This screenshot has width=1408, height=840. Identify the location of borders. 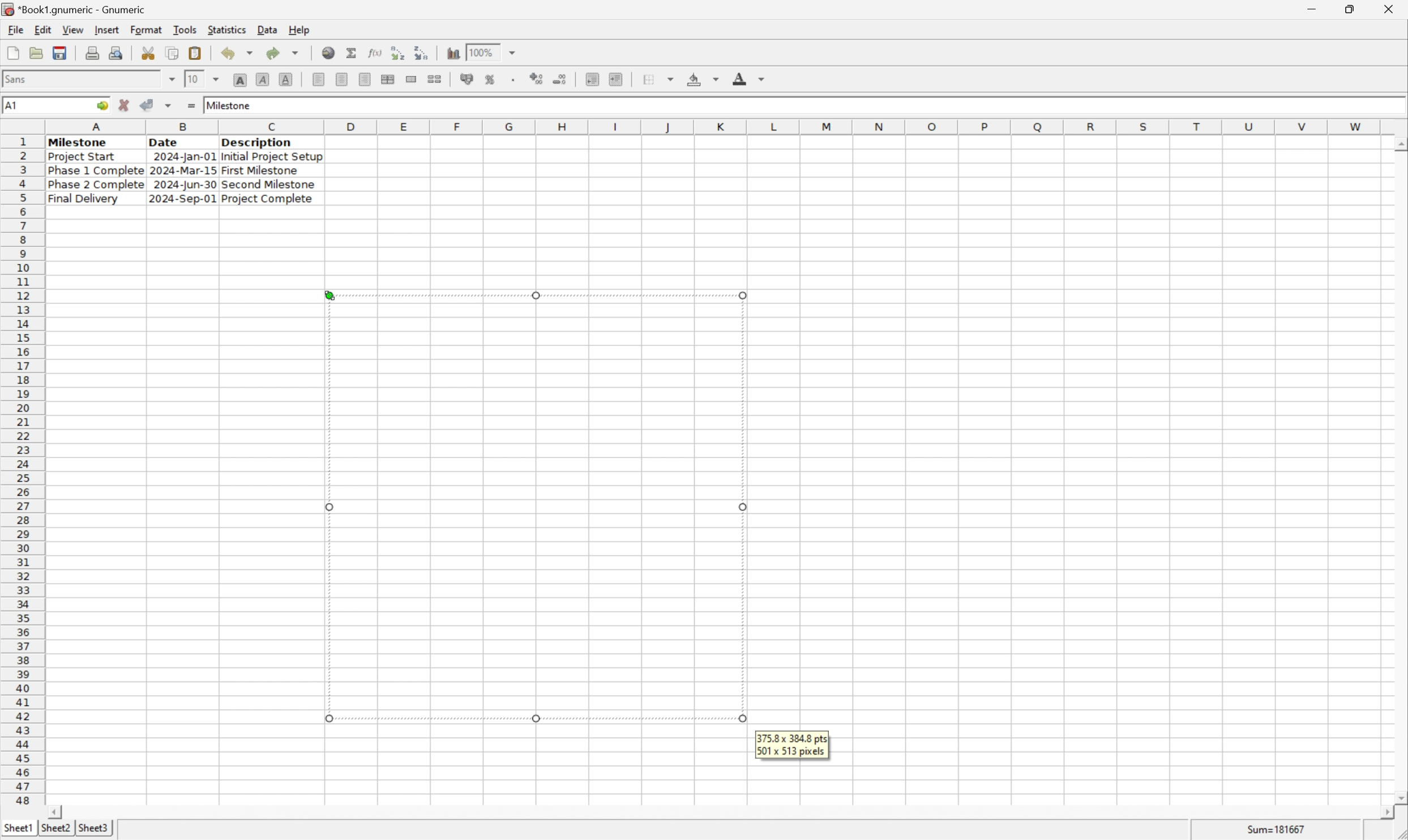
(663, 79).